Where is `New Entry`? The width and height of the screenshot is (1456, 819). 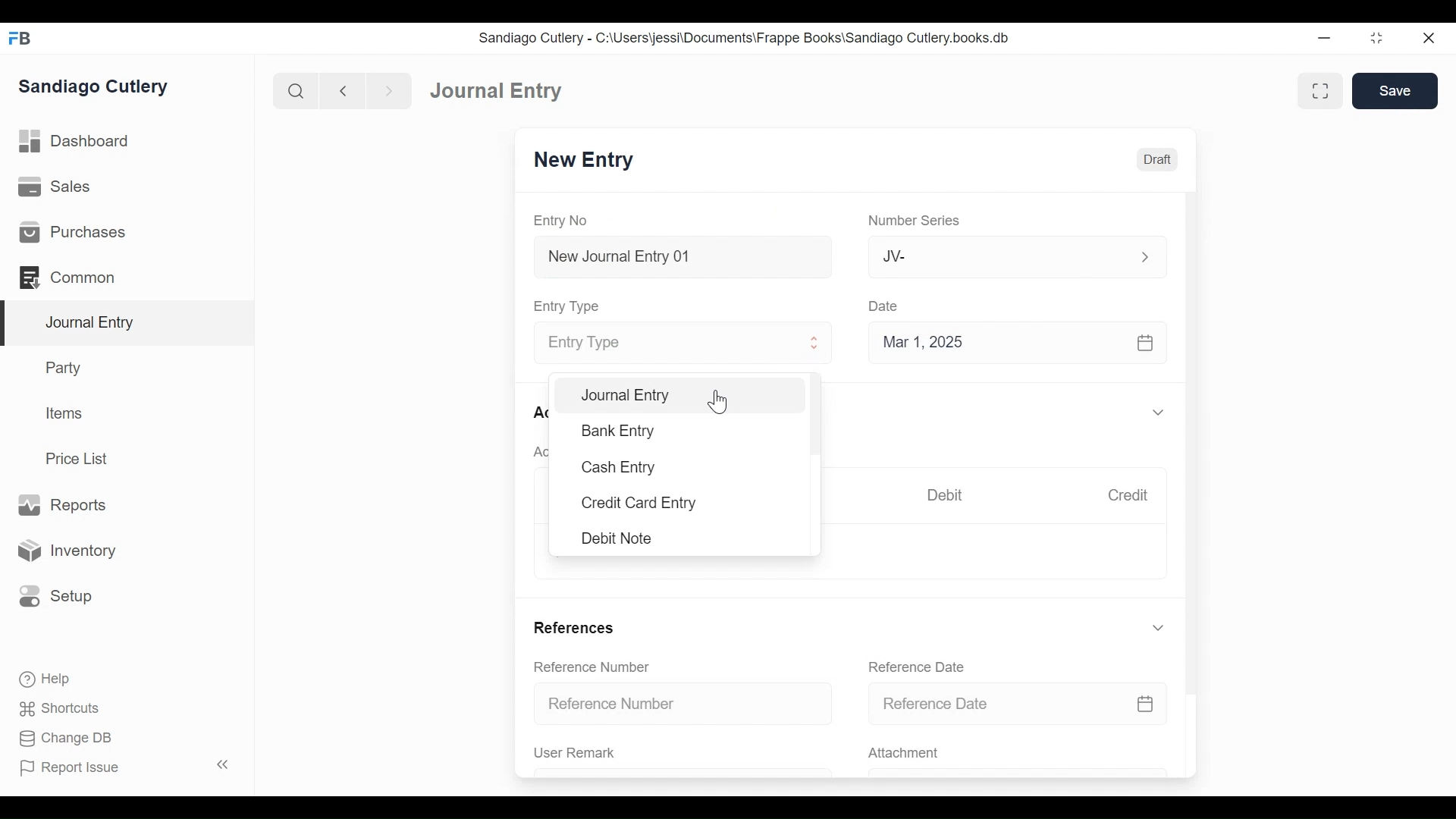
New Entry is located at coordinates (585, 161).